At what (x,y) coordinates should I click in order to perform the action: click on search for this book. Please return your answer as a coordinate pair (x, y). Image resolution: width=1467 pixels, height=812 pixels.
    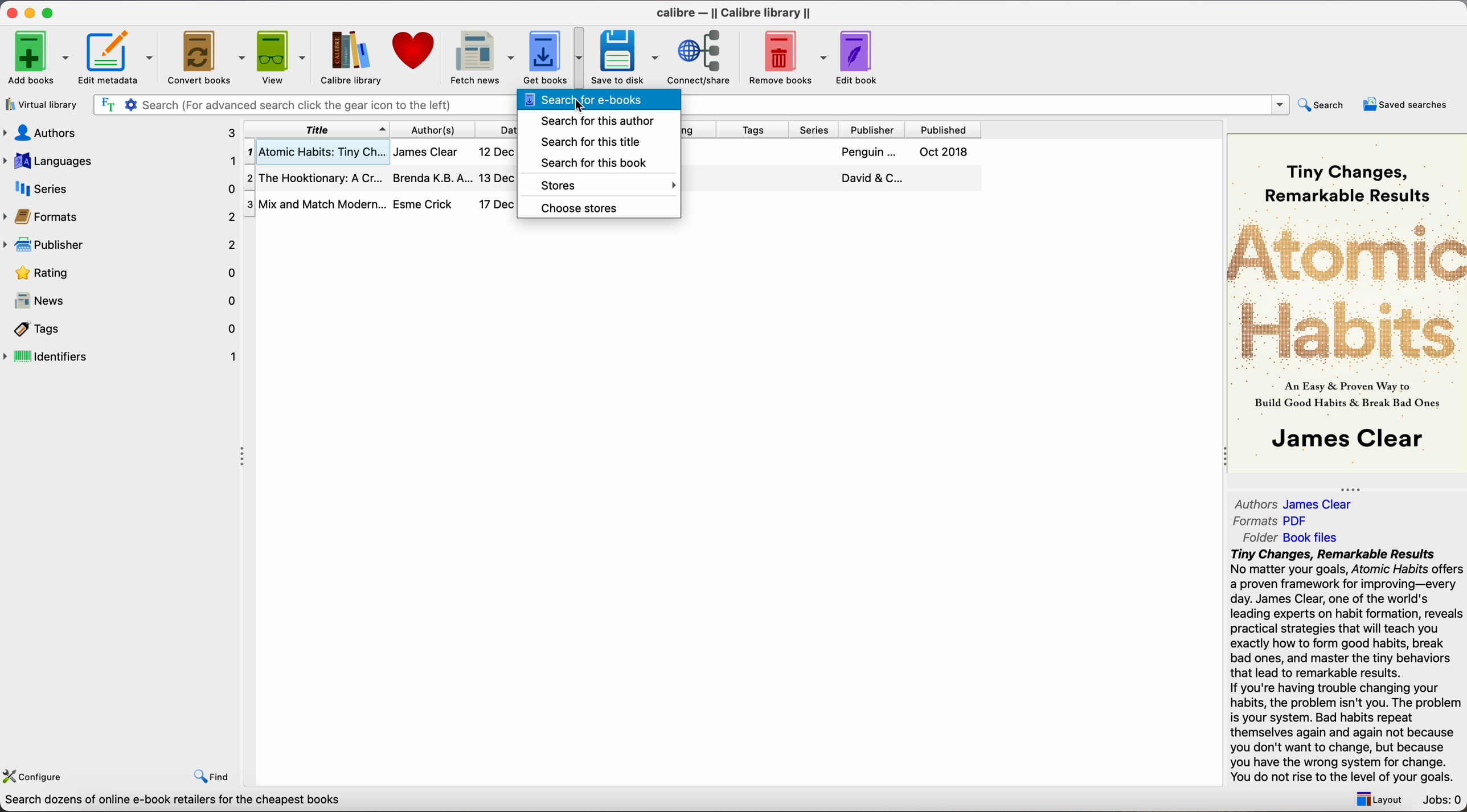
    Looking at the image, I should click on (587, 163).